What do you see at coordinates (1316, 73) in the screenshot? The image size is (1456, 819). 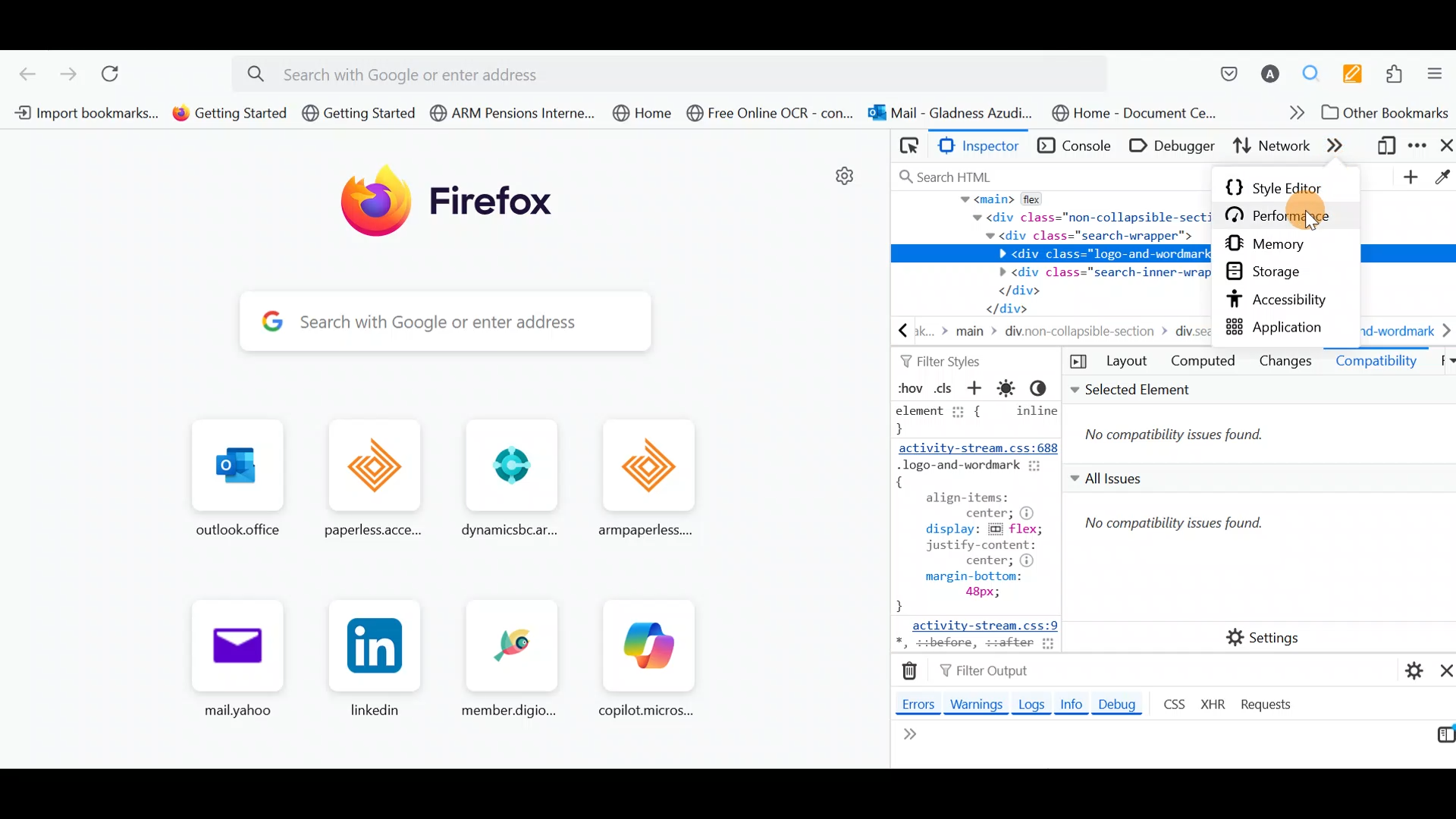 I see `Multiple search & highlight` at bounding box center [1316, 73].